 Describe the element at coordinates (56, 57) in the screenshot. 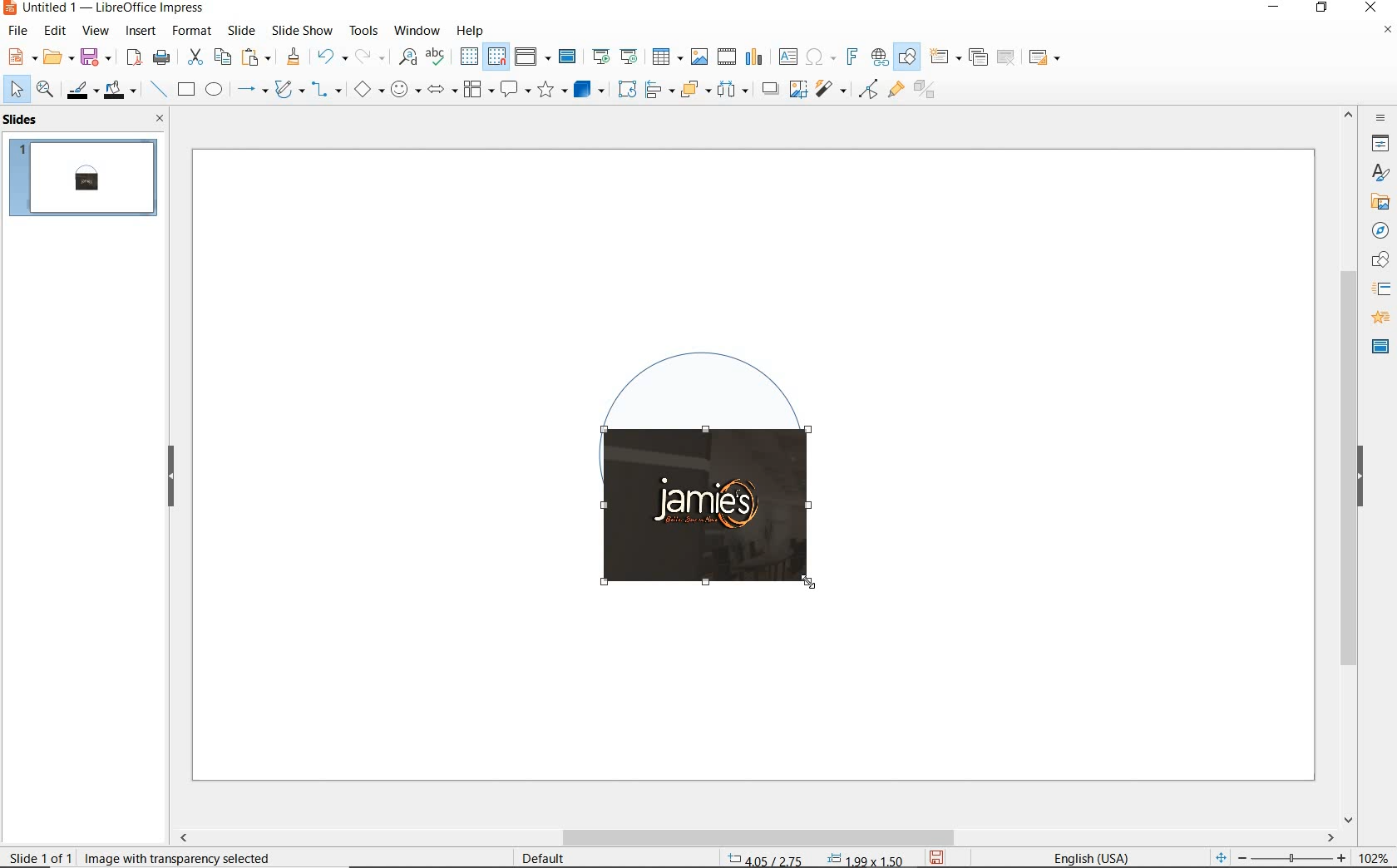

I see `open` at that location.